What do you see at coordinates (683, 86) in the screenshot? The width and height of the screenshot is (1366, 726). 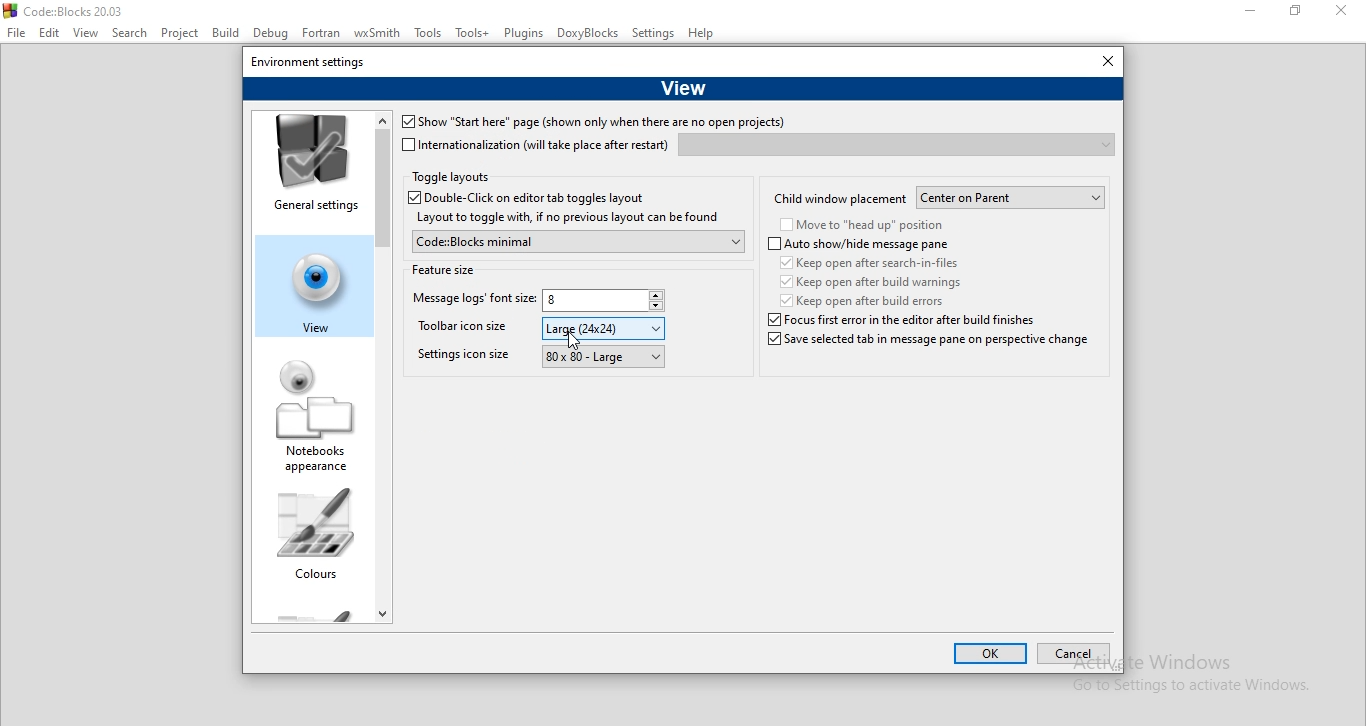 I see `View` at bounding box center [683, 86].